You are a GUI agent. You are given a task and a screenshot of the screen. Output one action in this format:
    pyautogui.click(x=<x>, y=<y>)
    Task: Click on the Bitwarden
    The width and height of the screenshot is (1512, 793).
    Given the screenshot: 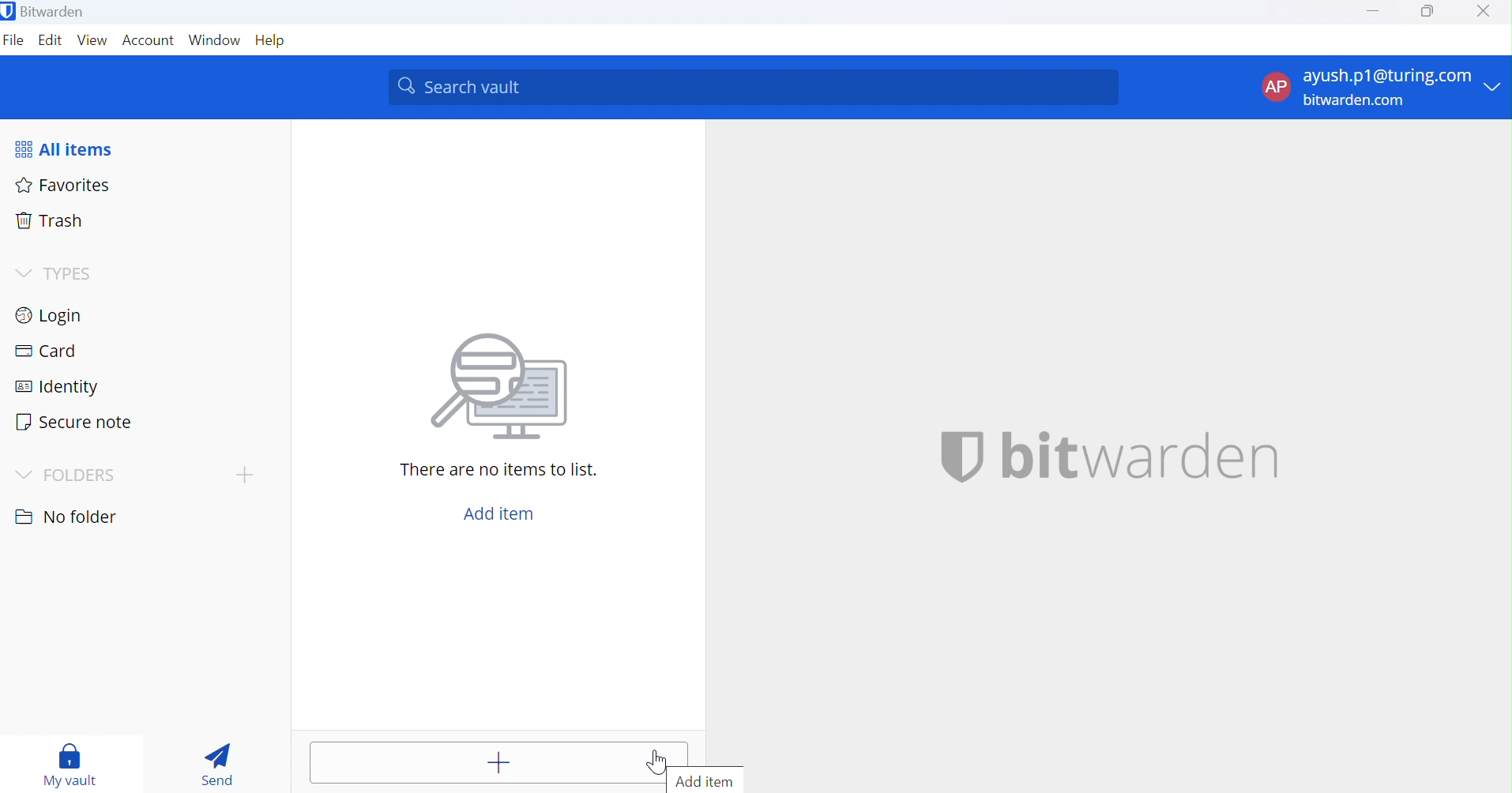 What is the action you would take?
    pyautogui.click(x=45, y=10)
    